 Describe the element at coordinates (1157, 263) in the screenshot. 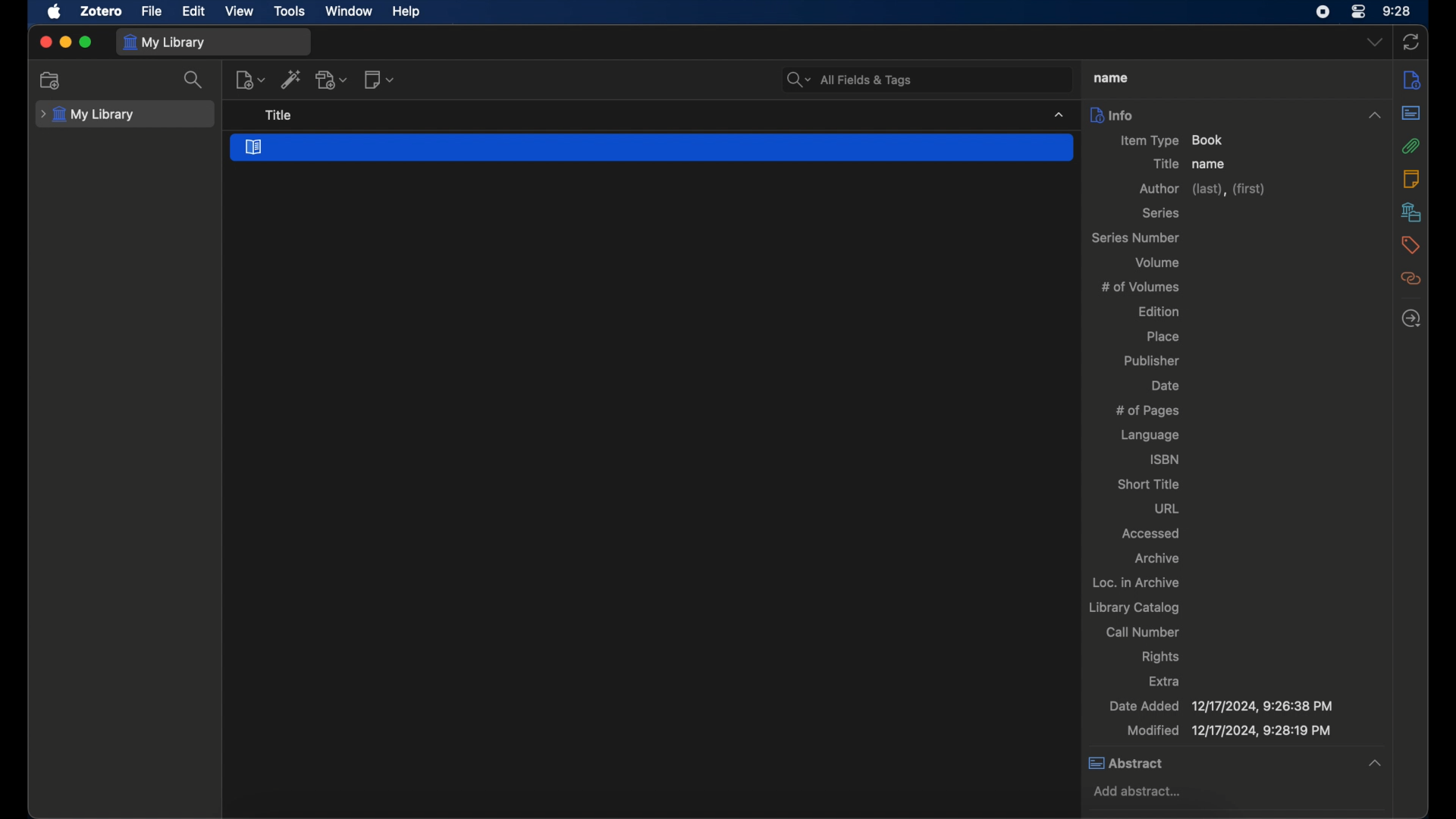

I see `volume` at that location.